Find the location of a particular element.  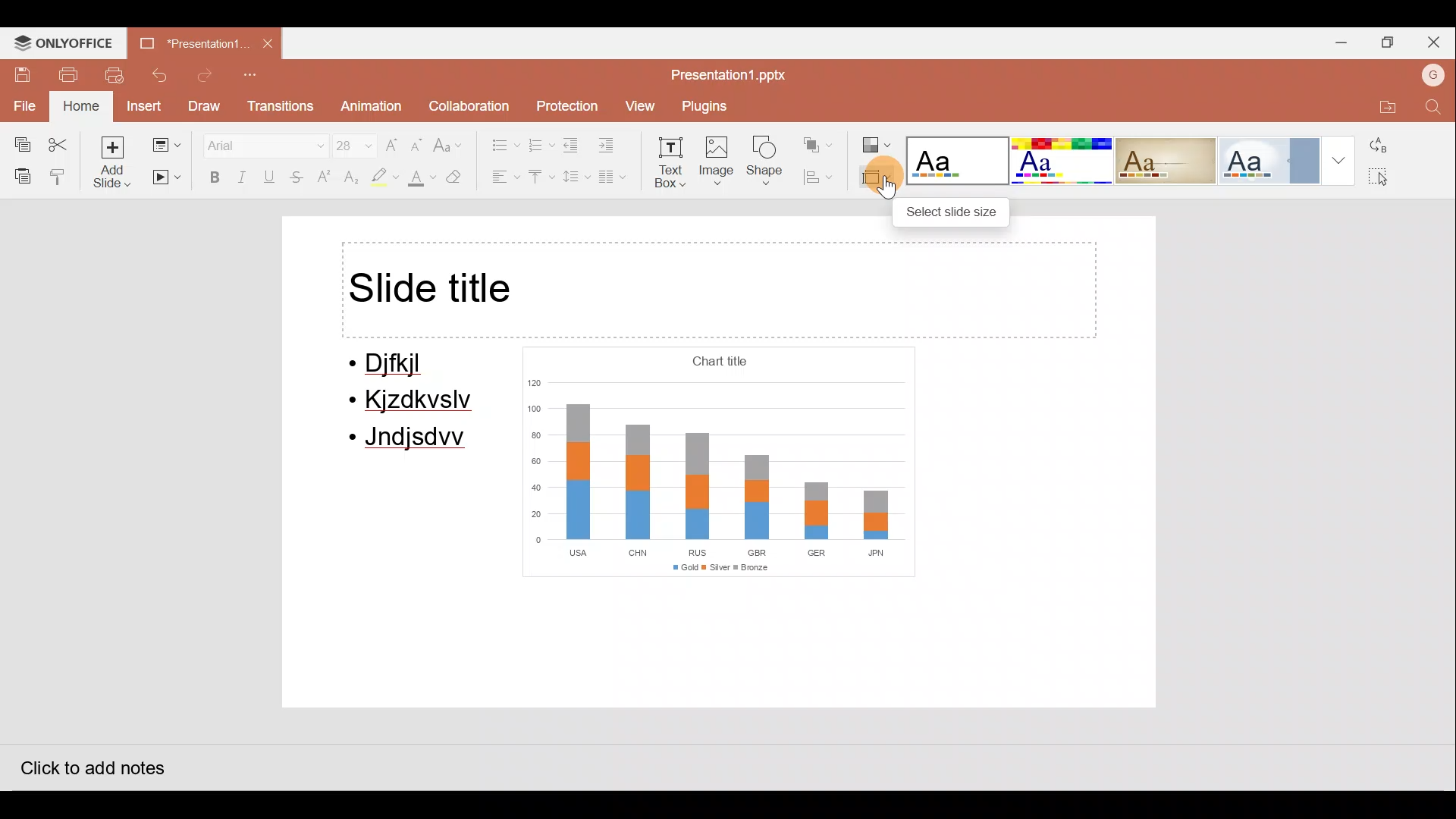

Print file is located at coordinates (68, 74).